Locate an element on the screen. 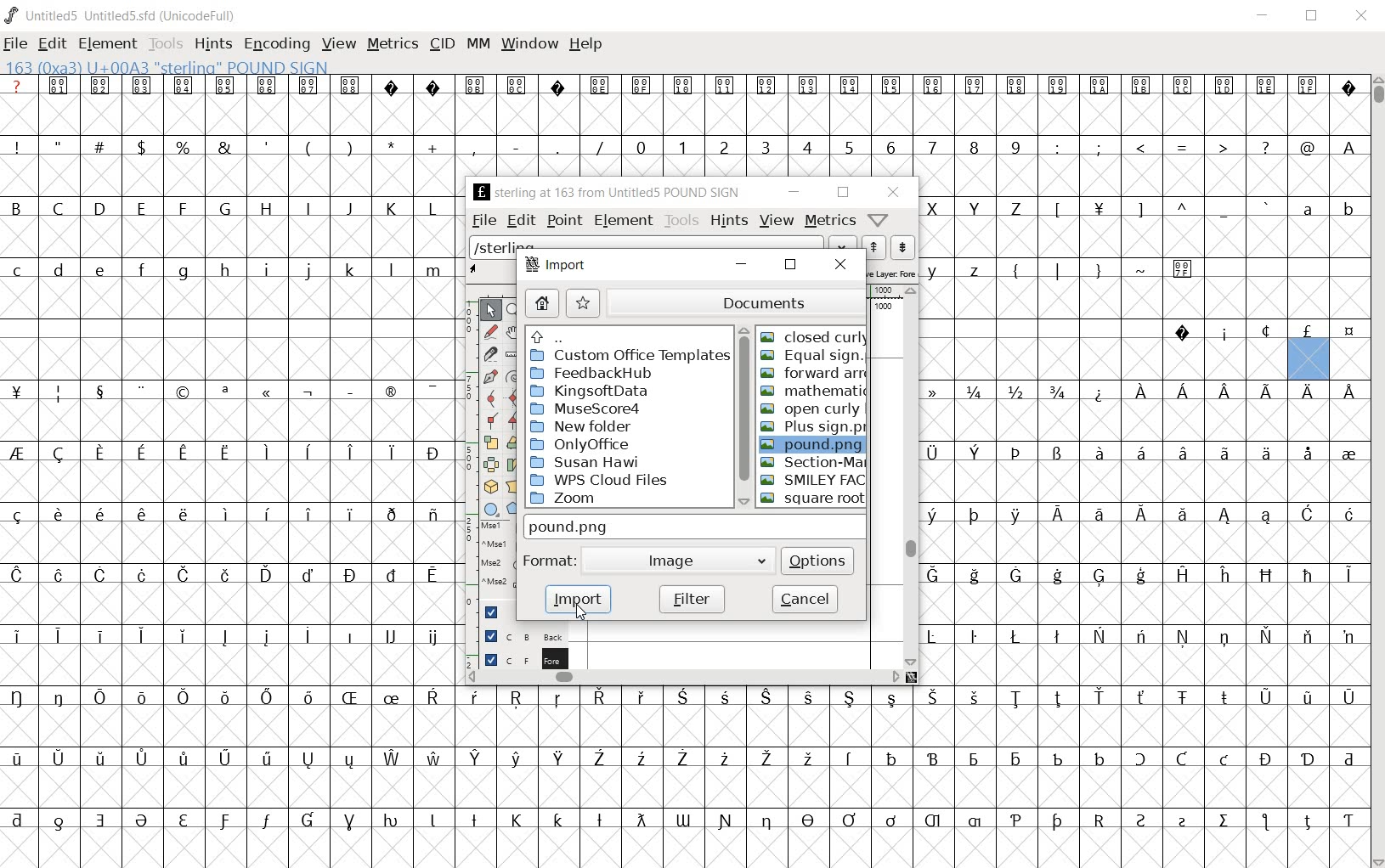  Symbol is located at coordinates (60, 820).